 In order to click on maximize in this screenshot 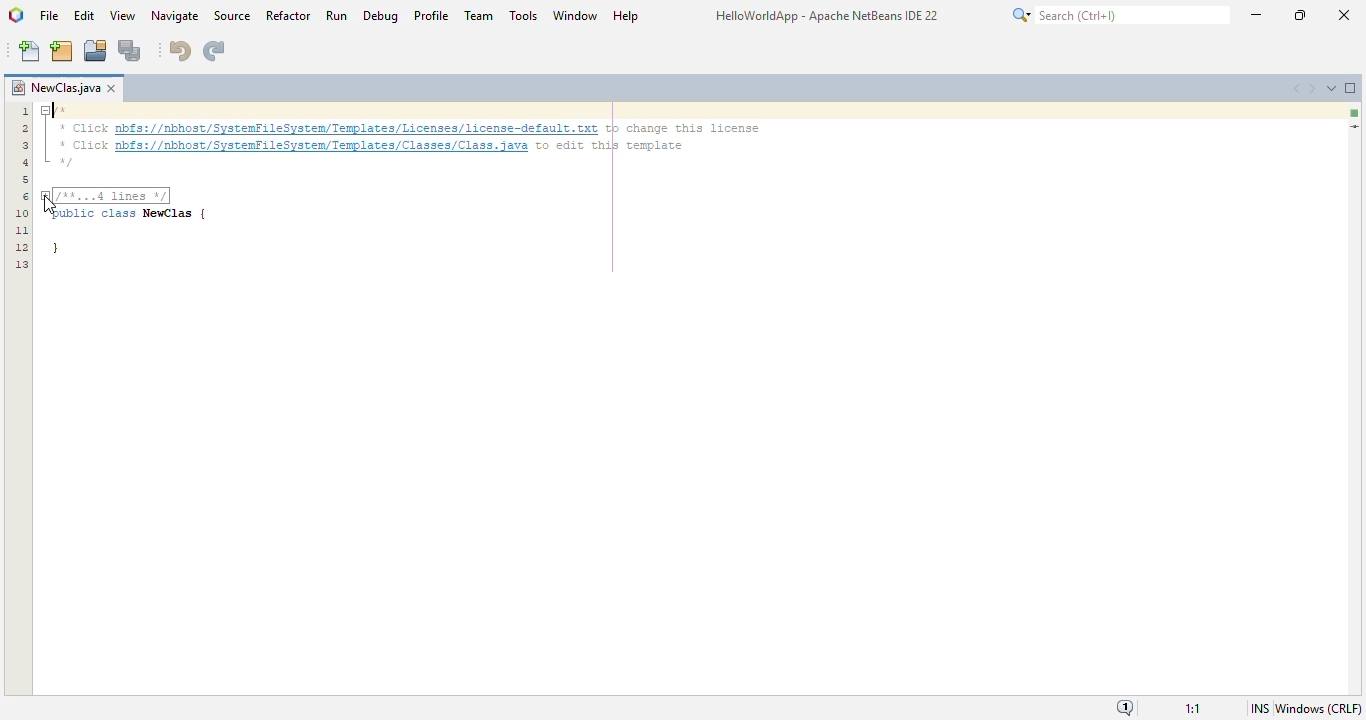, I will do `click(1301, 14)`.